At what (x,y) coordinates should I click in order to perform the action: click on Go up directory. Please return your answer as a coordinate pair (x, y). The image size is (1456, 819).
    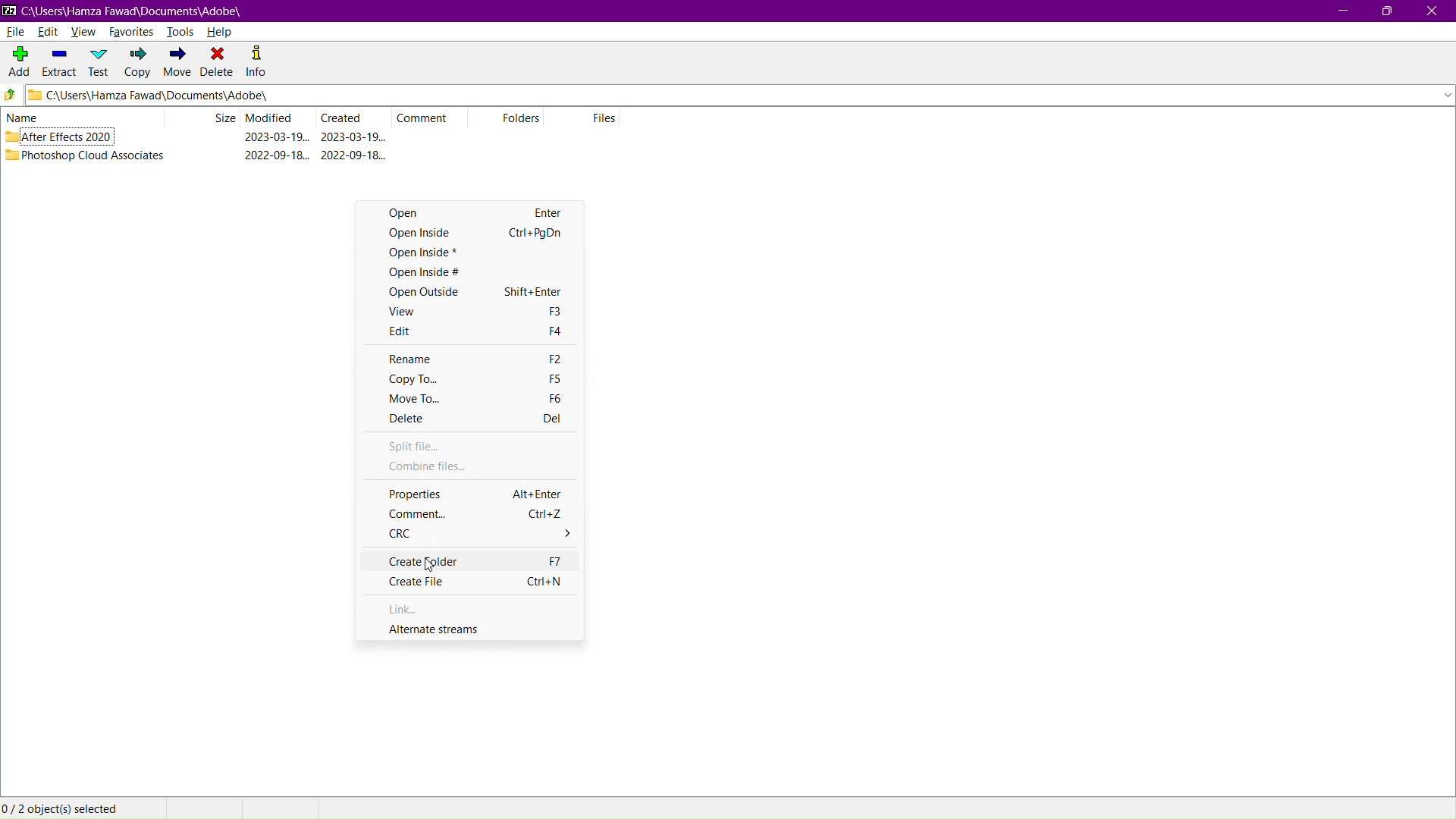
    Looking at the image, I should click on (11, 96).